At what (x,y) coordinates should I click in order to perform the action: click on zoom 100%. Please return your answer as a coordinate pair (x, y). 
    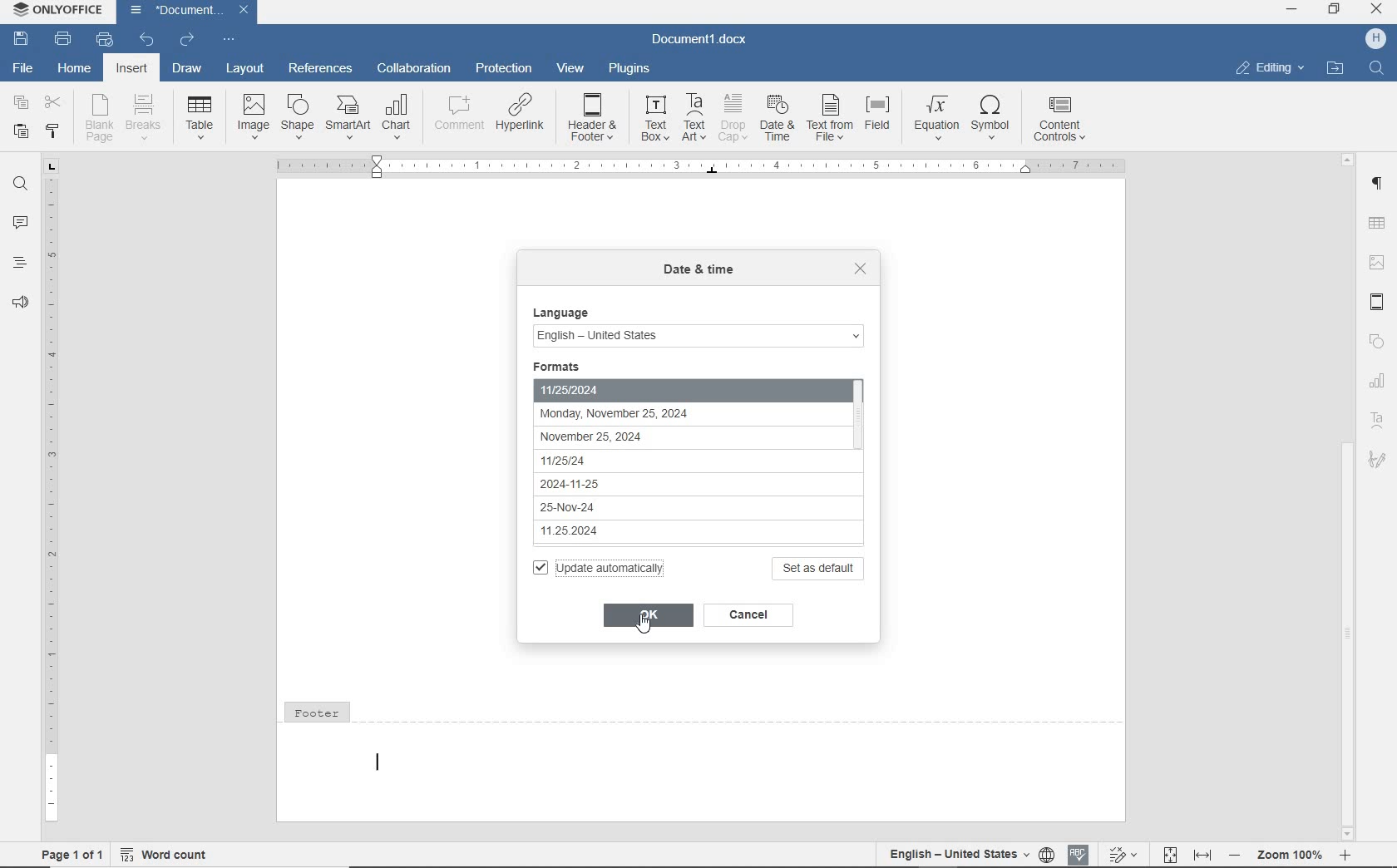
    Looking at the image, I should click on (1288, 854).